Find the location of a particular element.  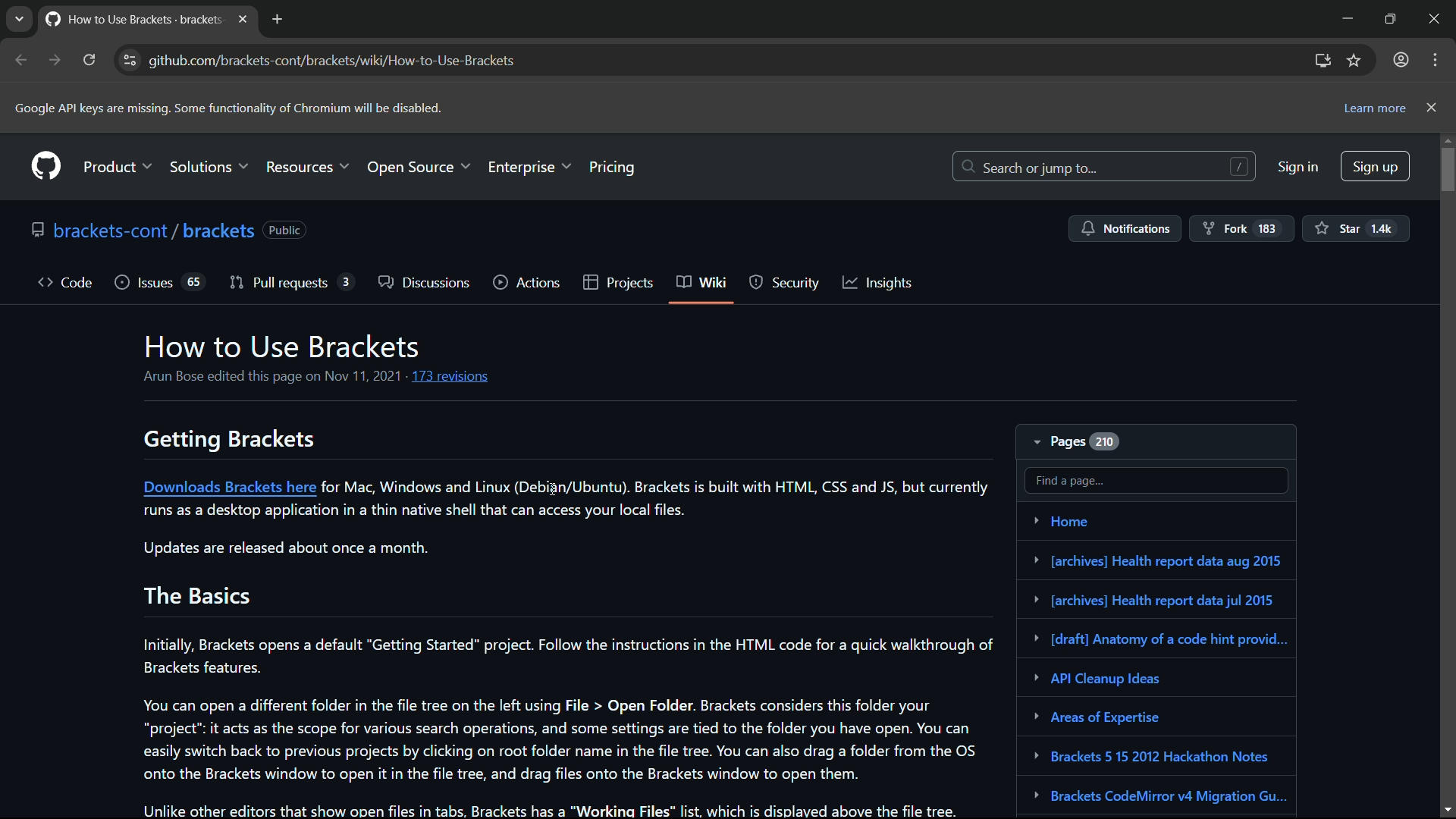

Arun Bose edited this page on Nov 11, 2021 - 173 revisions is located at coordinates (310, 378).